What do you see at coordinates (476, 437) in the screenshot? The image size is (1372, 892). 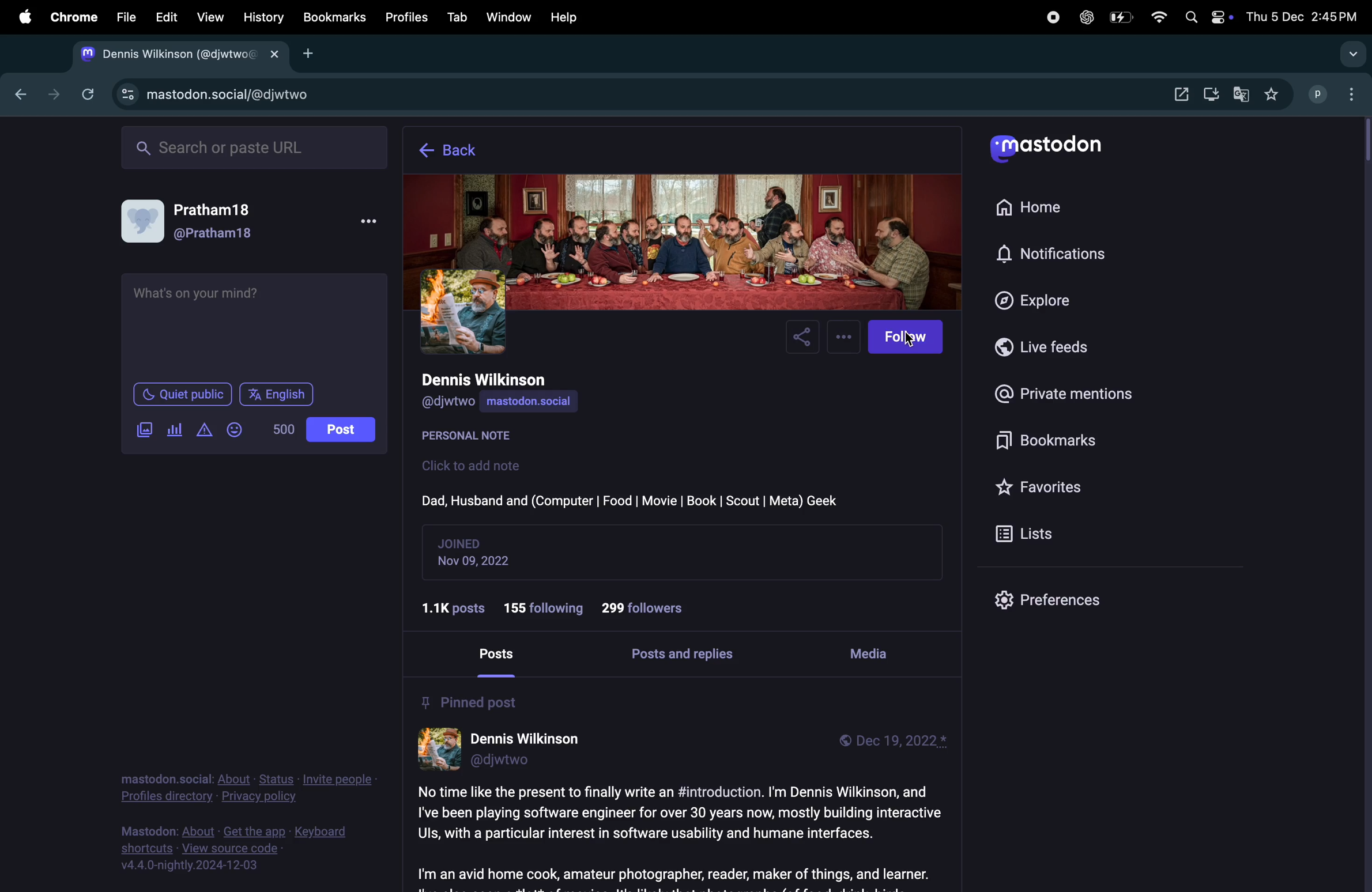 I see `personal note` at bounding box center [476, 437].